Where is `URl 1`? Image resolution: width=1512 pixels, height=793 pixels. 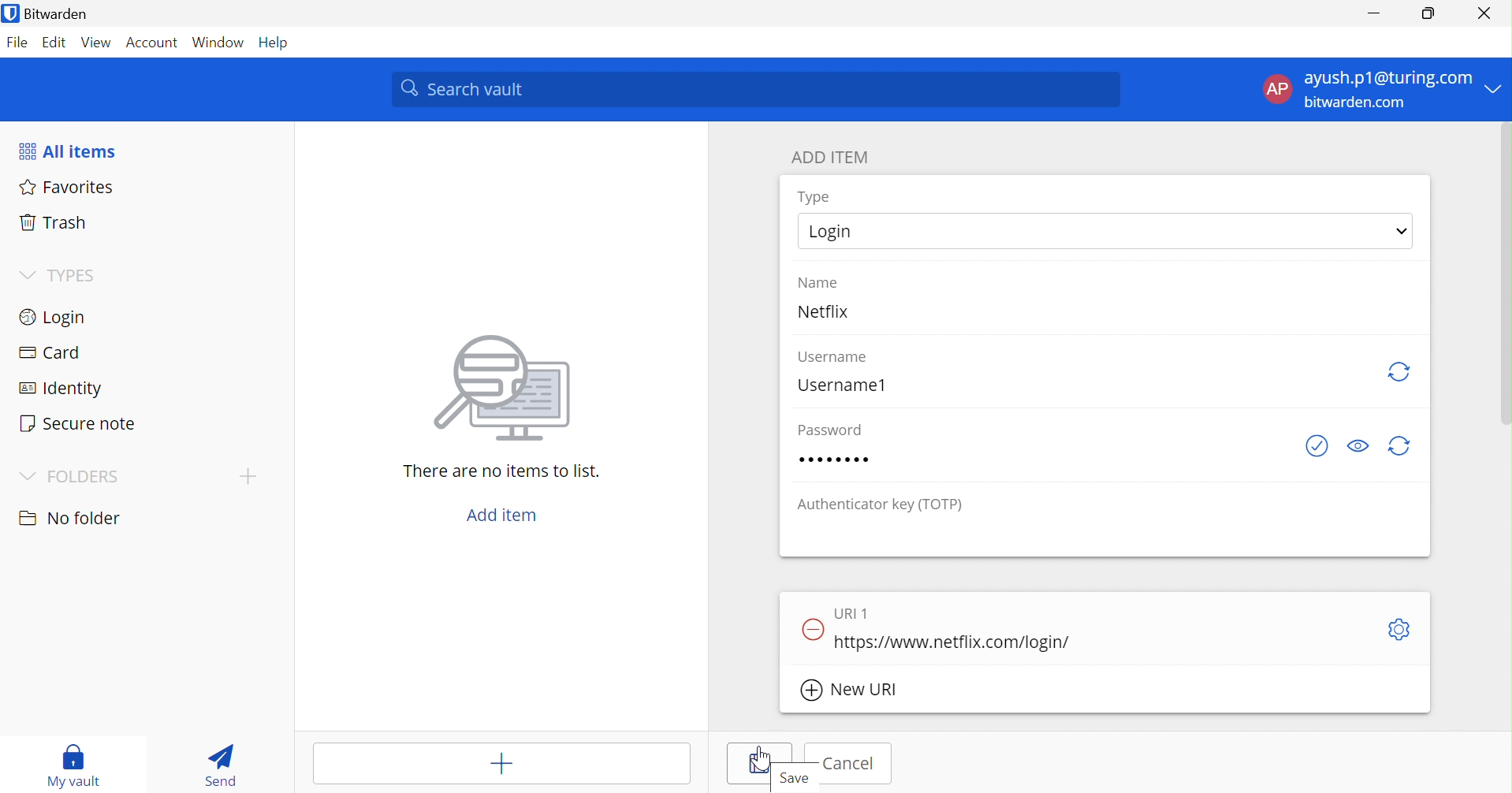 URl 1 is located at coordinates (851, 613).